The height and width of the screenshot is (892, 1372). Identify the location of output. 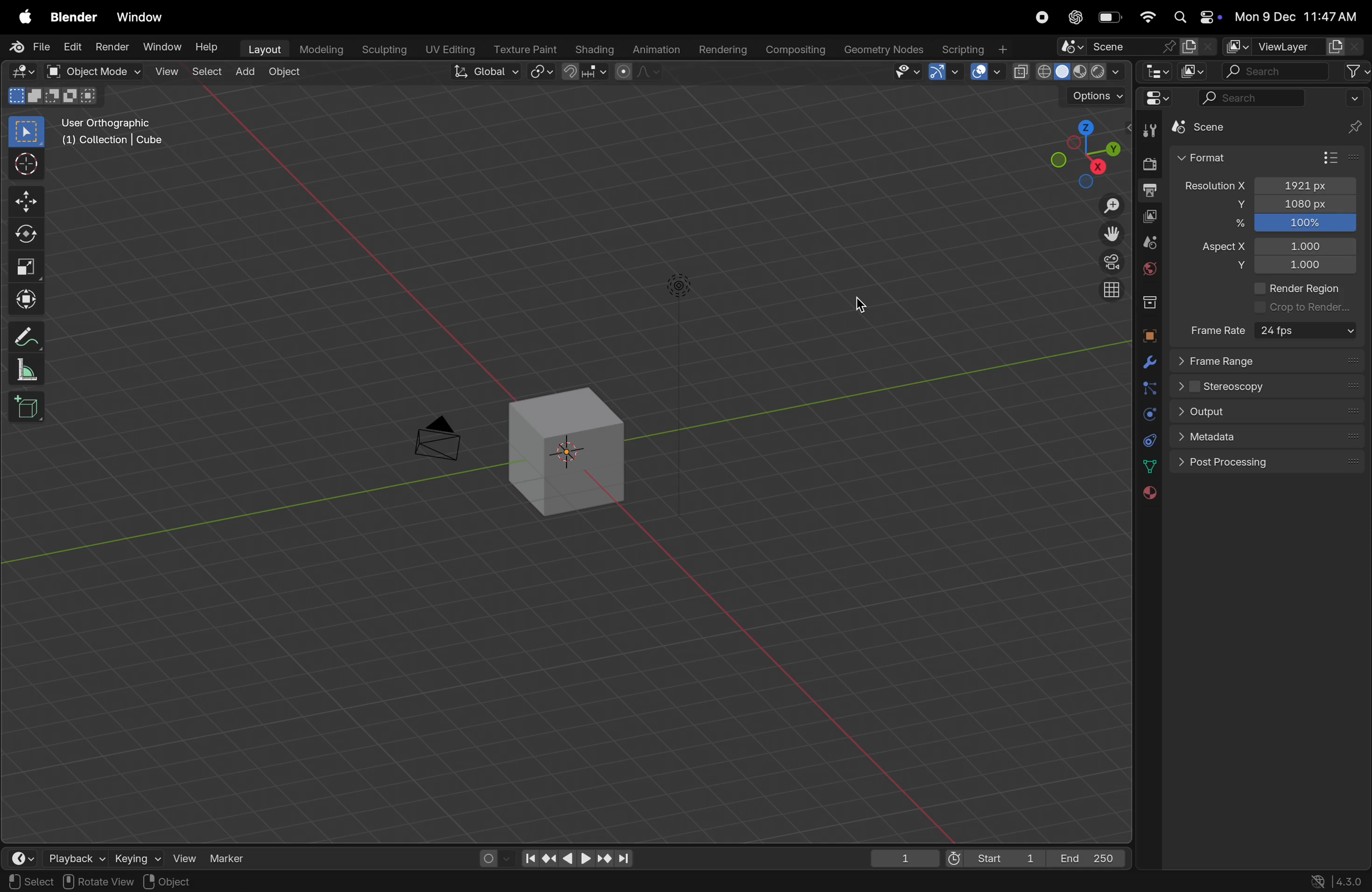
(1150, 192).